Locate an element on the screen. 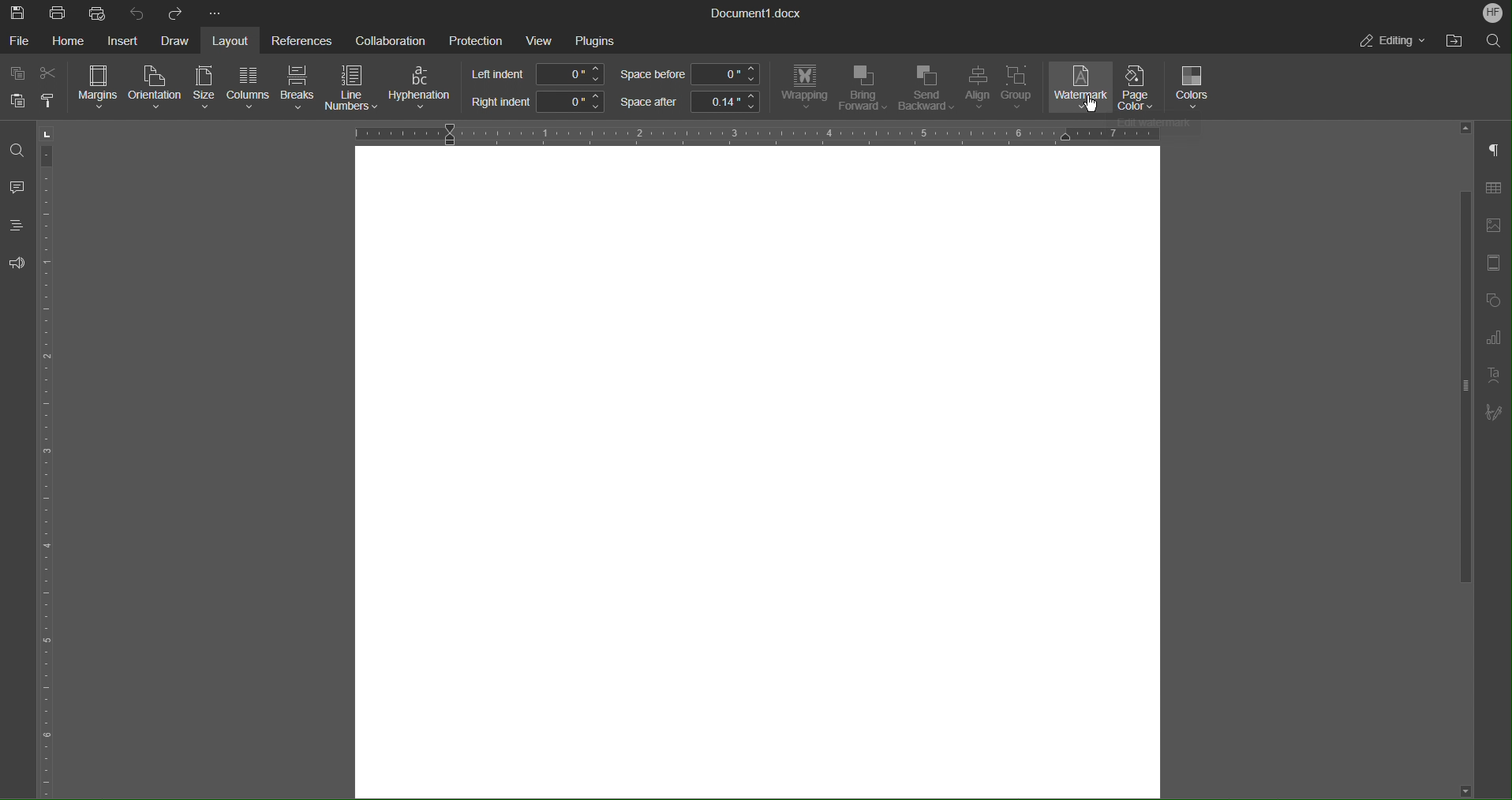 This screenshot has width=1512, height=800. Quick Print is located at coordinates (99, 13).